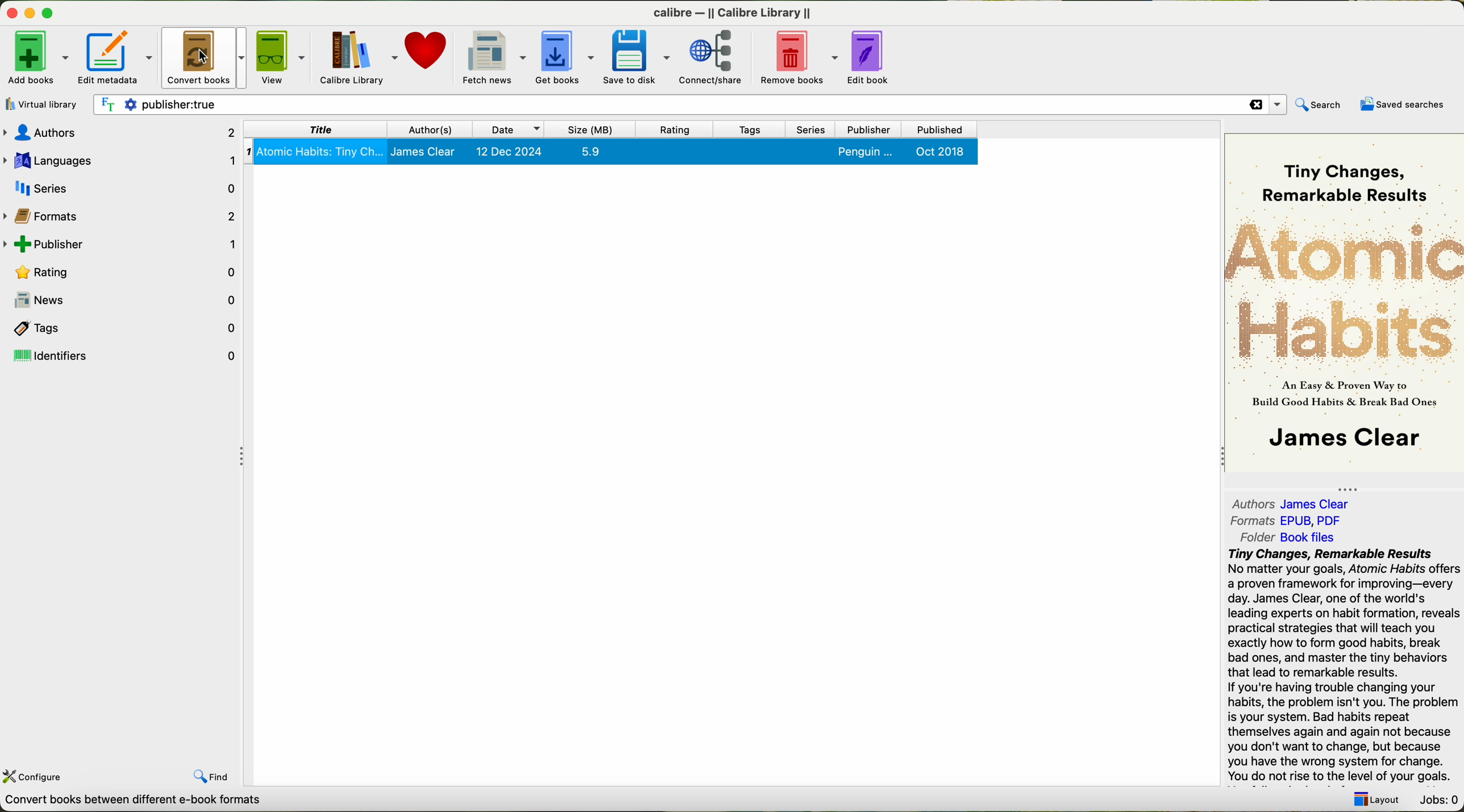 The width and height of the screenshot is (1464, 812). I want to click on configure, so click(34, 777).